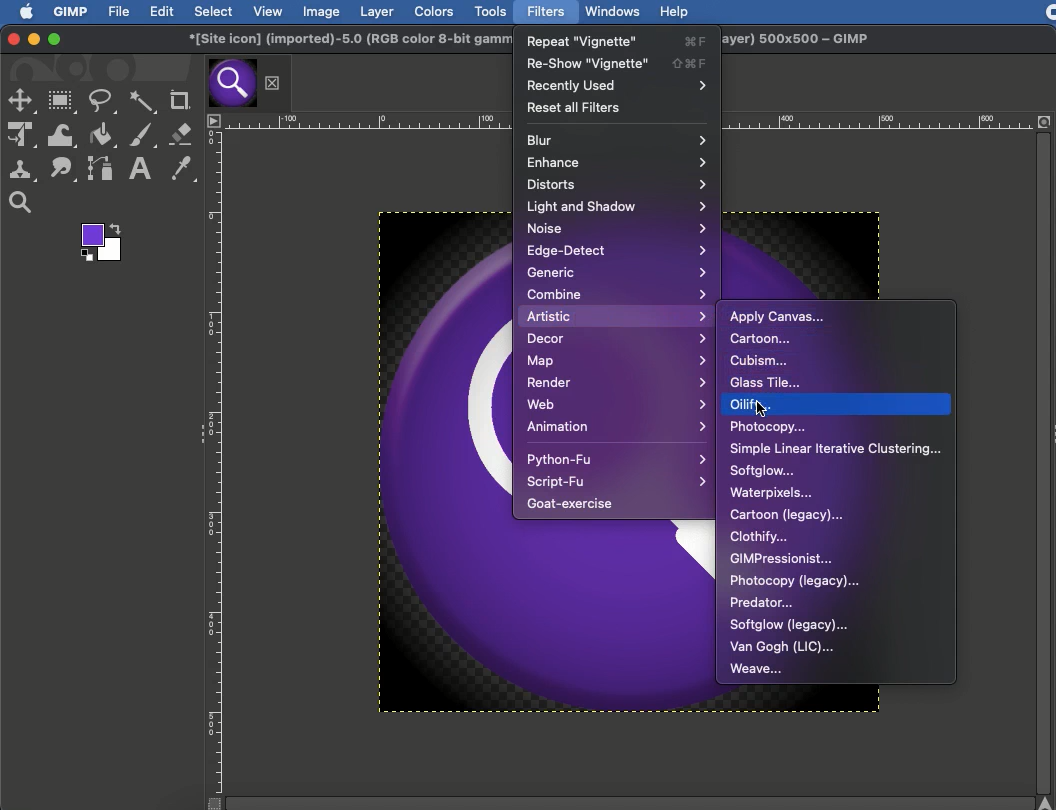 The width and height of the screenshot is (1056, 810). I want to click on Map, so click(615, 361).